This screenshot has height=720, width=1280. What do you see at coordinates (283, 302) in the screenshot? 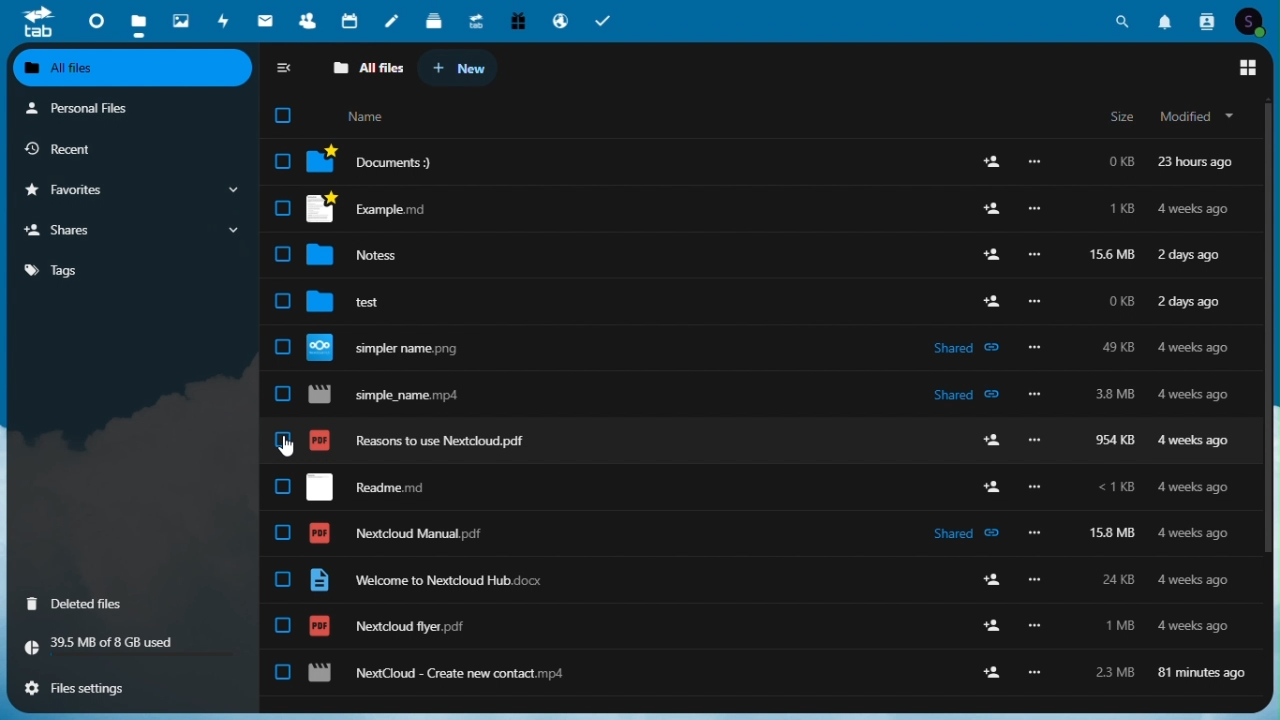
I see `check box` at bounding box center [283, 302].